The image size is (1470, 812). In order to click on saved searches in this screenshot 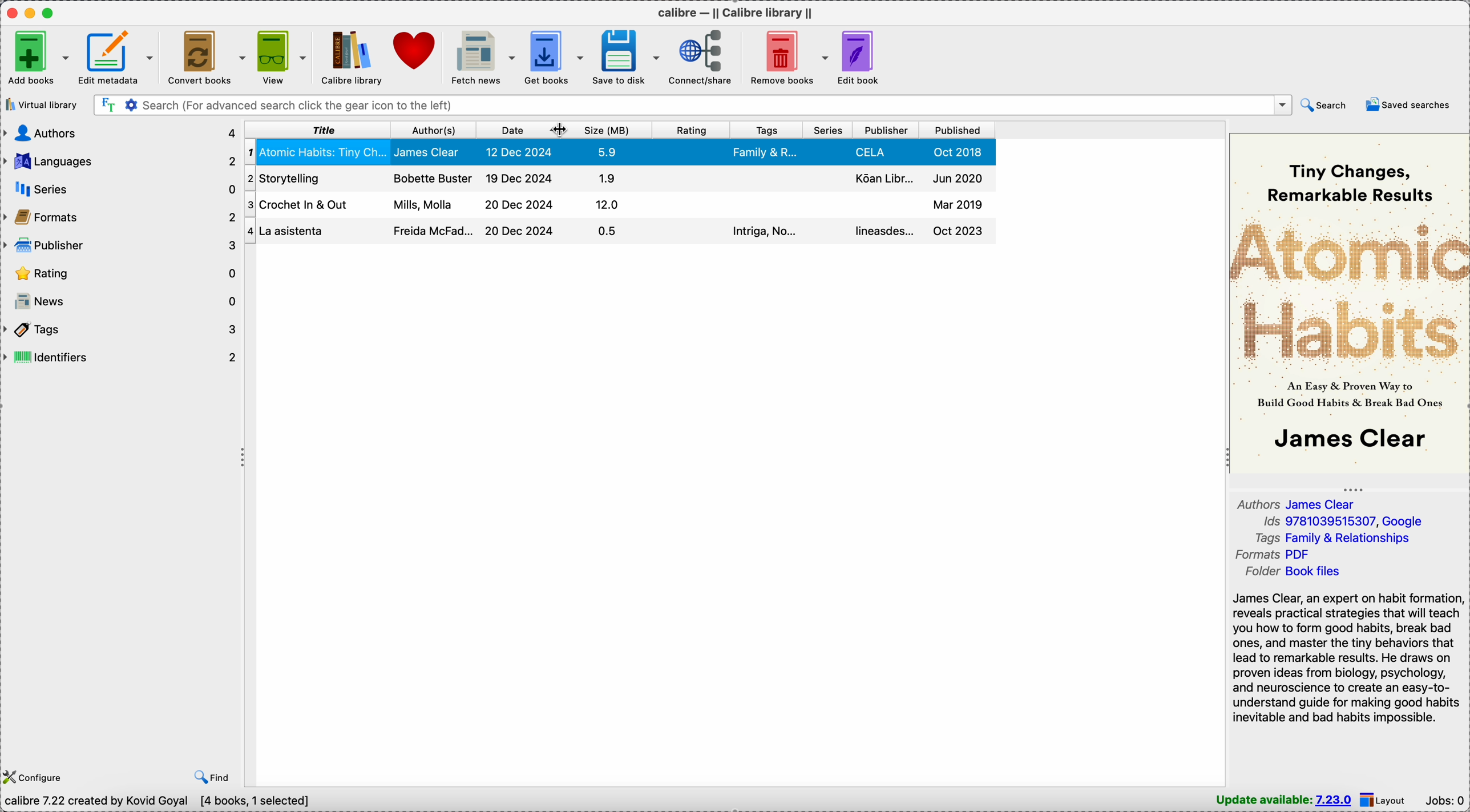, I will do `click(1407, 104)`.